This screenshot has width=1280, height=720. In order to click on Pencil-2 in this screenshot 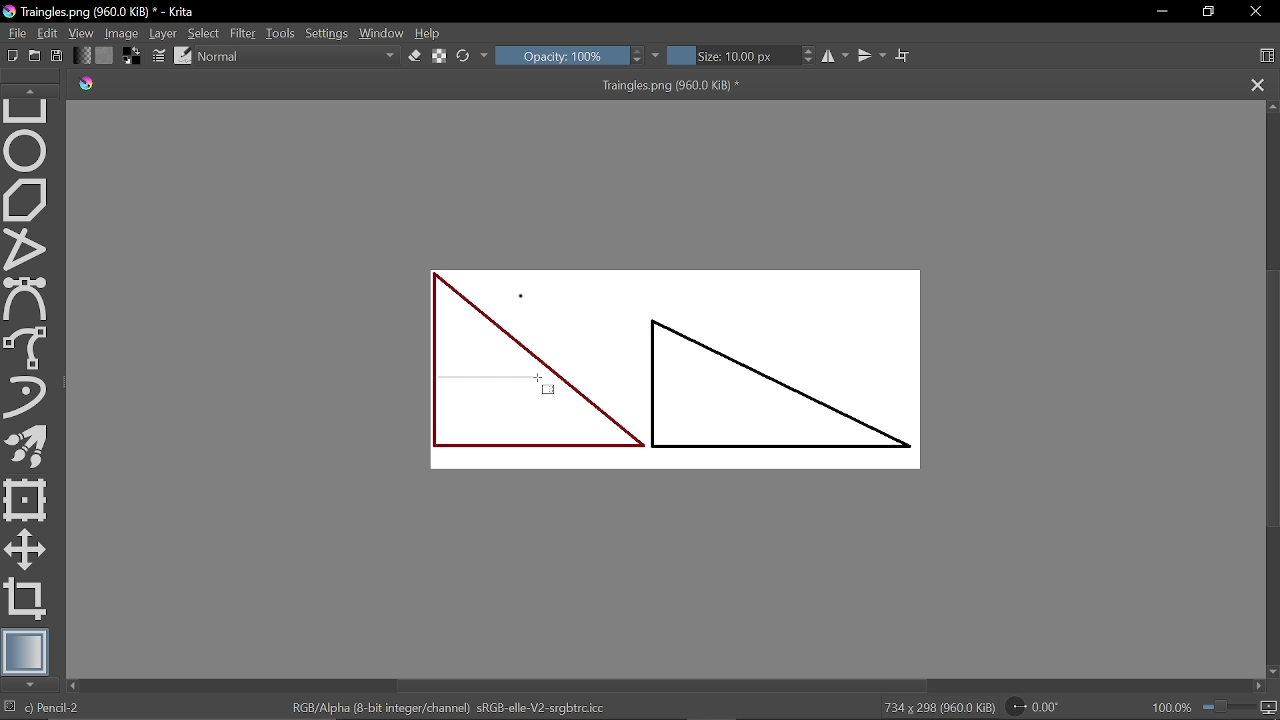, I will do `click(74, 708)`.